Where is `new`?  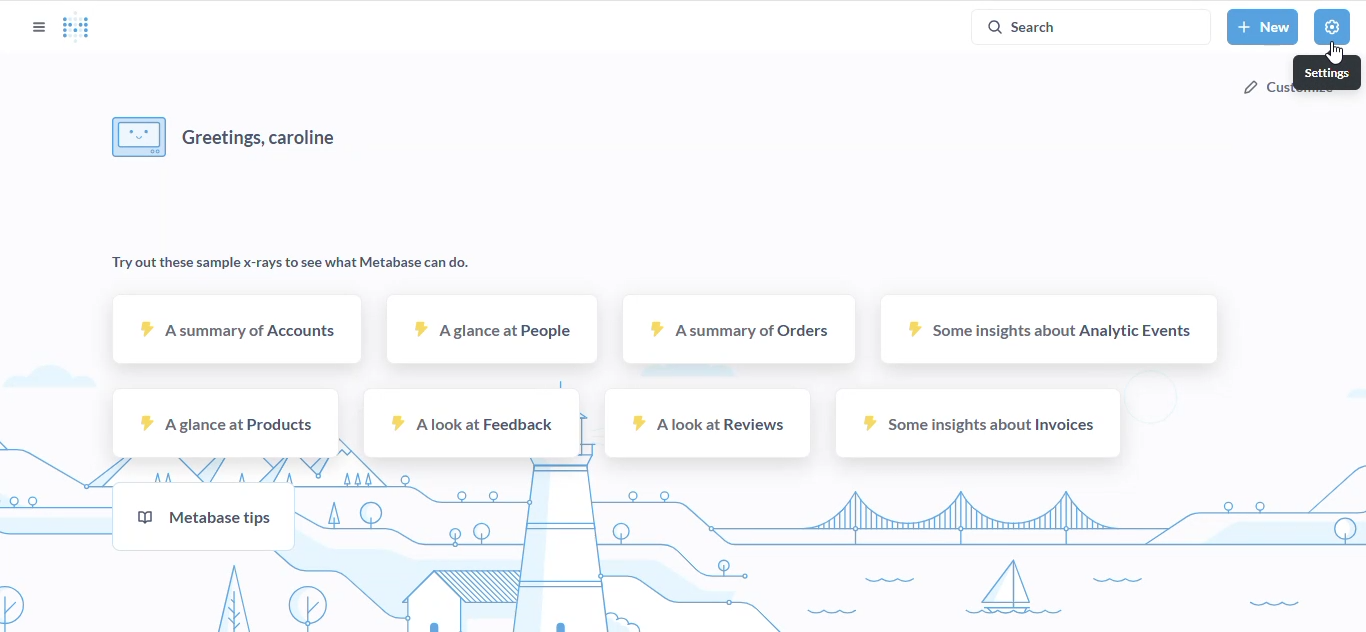 new is located at coordinates (1263, 26).